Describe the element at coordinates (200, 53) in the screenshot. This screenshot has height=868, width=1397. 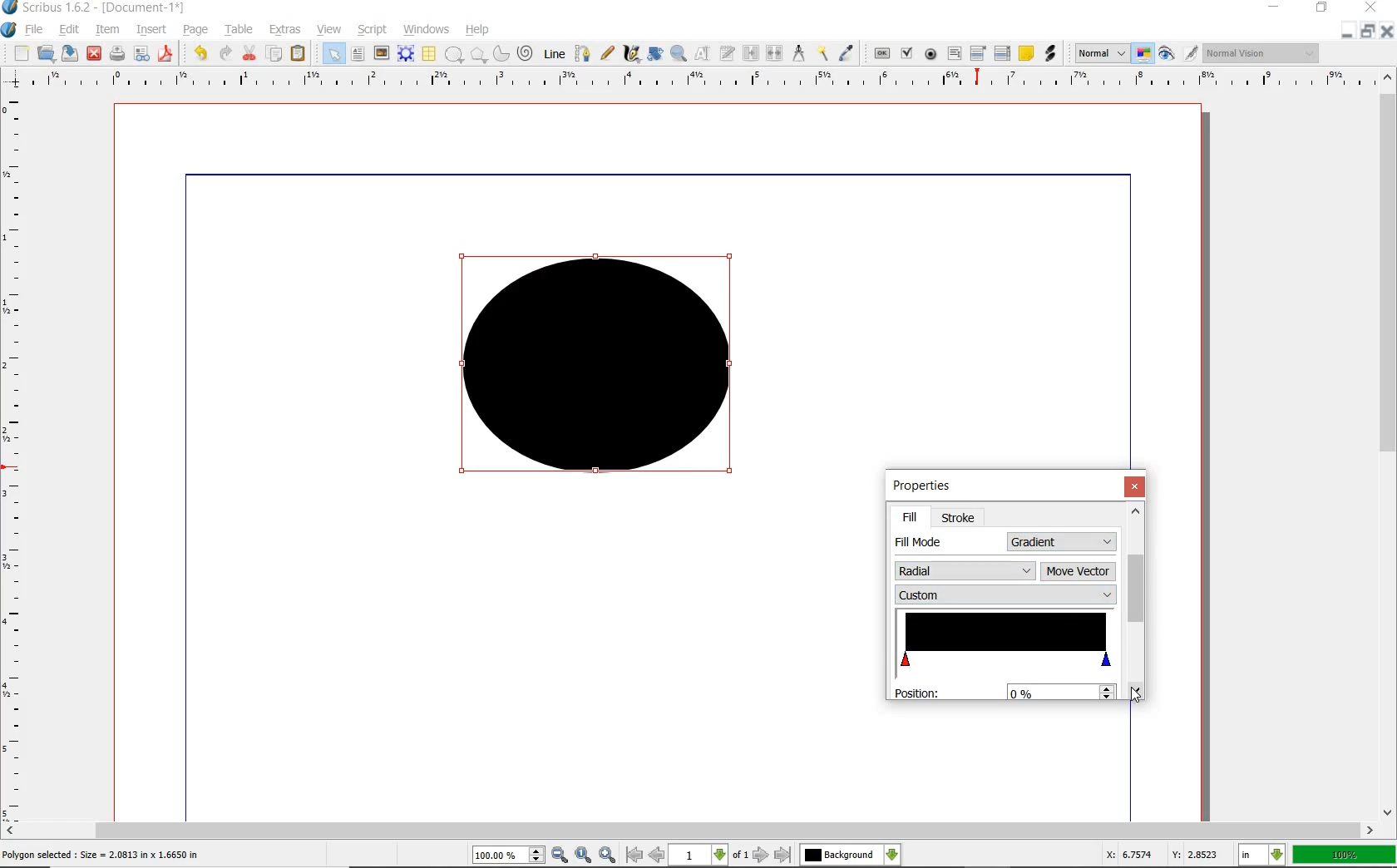
I see `UNDO` at that location.